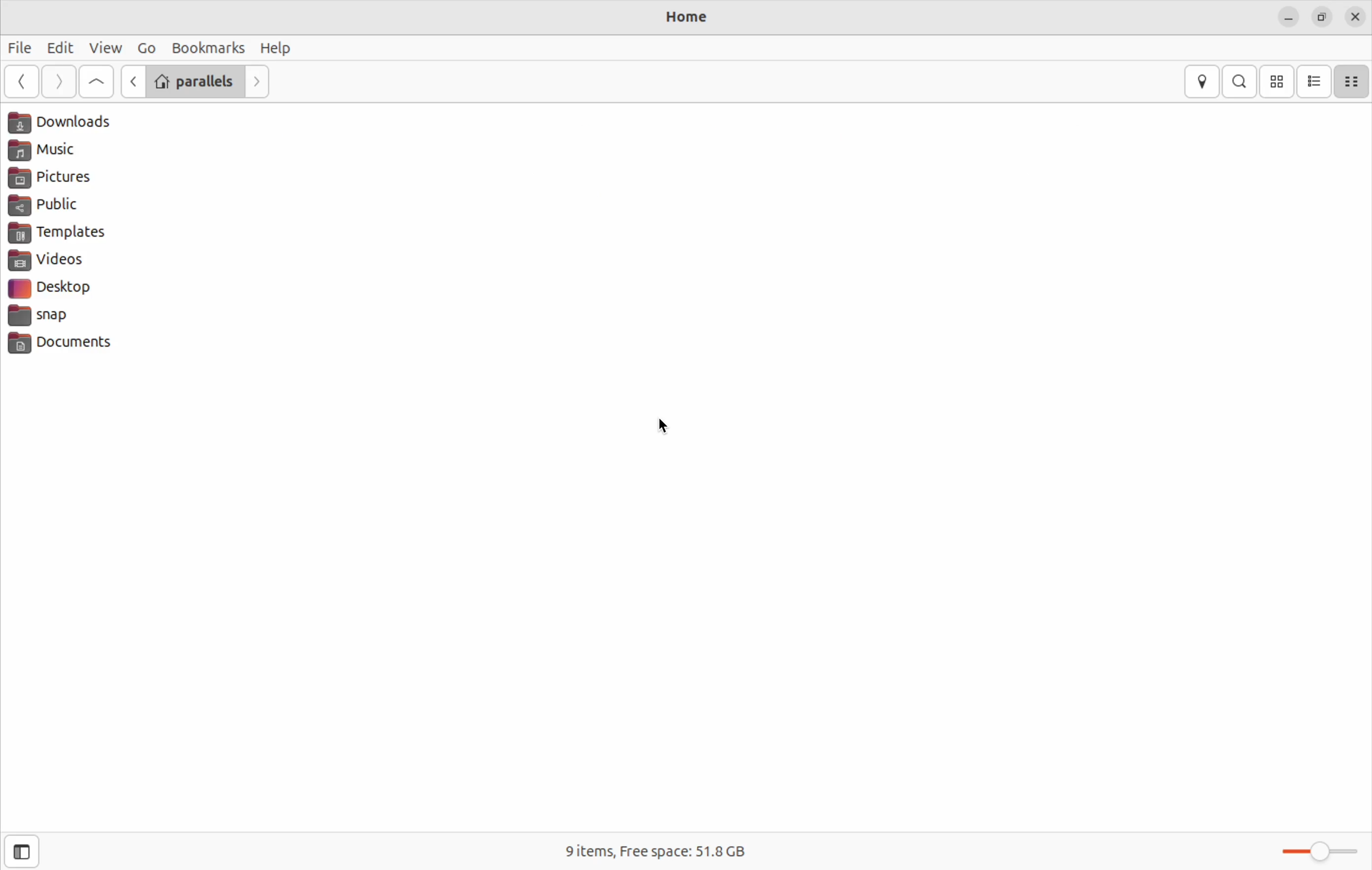 Image resolution: width=1372 pixels, height=870 pixels. Describe the element at coordinates (144, 47) in the screenshot. I see `go` at that location.